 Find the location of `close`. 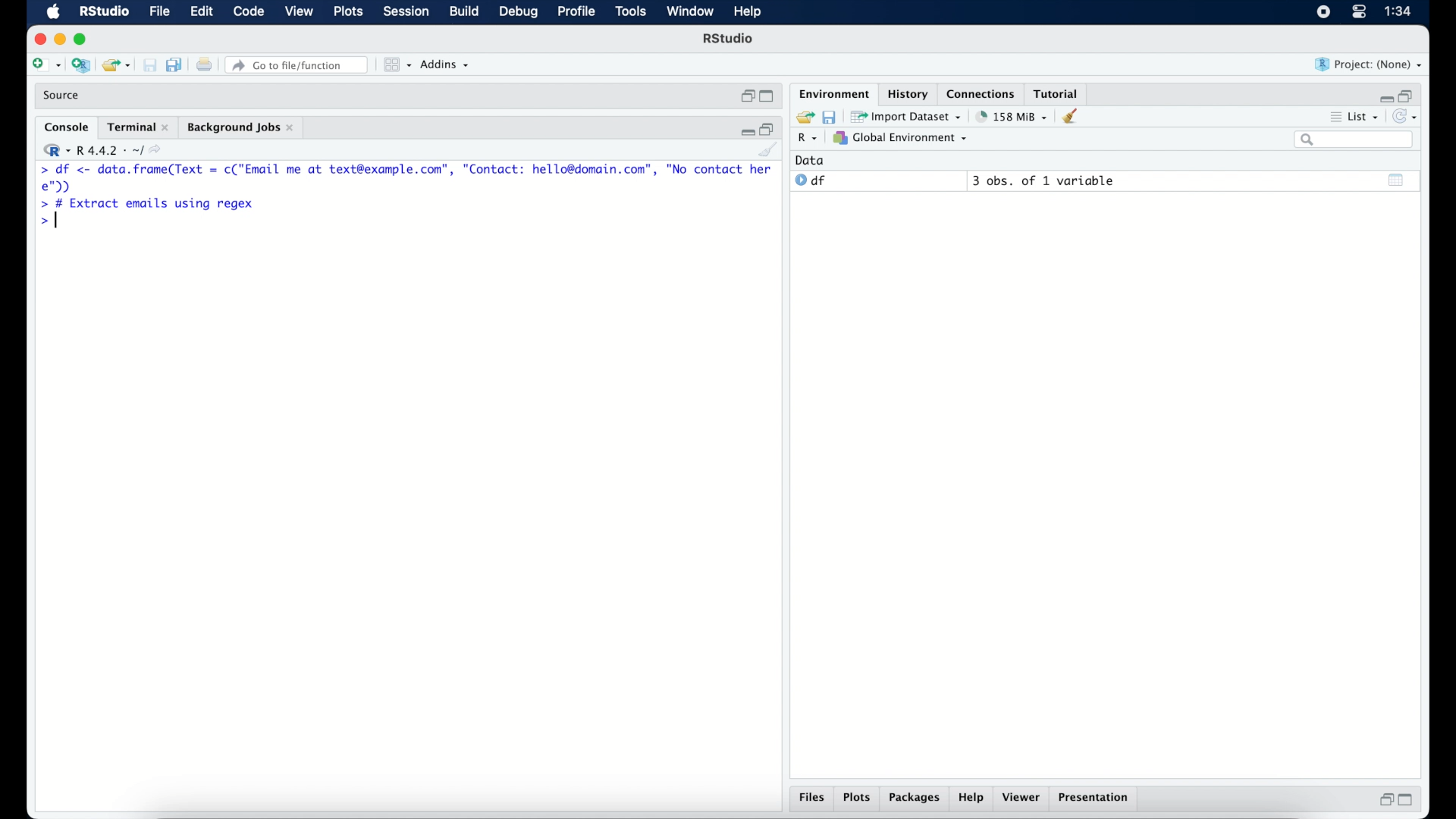

close is located at coordinates (37, 37).